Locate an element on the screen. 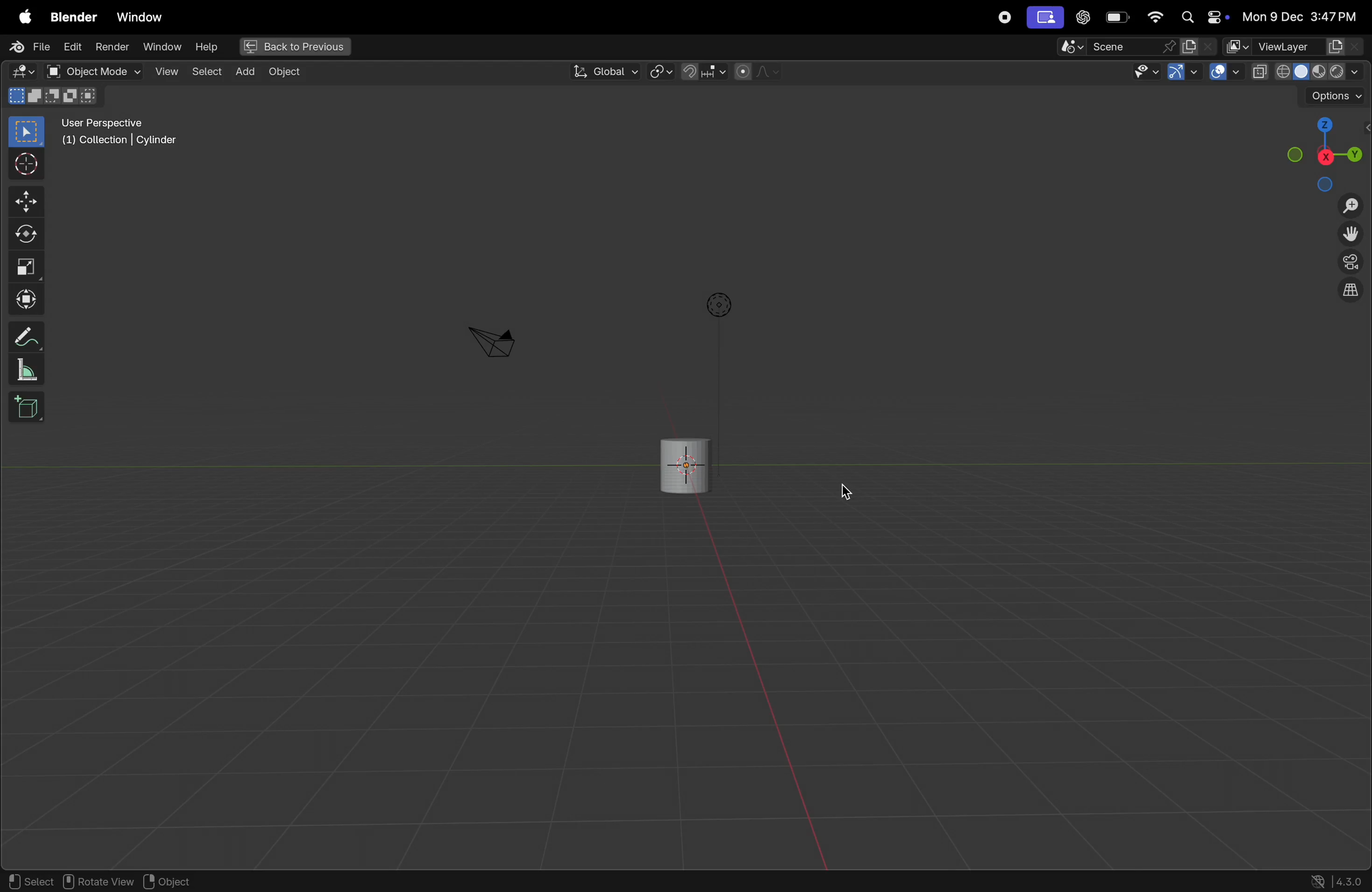  editortype is located at coordinates (26, 72).